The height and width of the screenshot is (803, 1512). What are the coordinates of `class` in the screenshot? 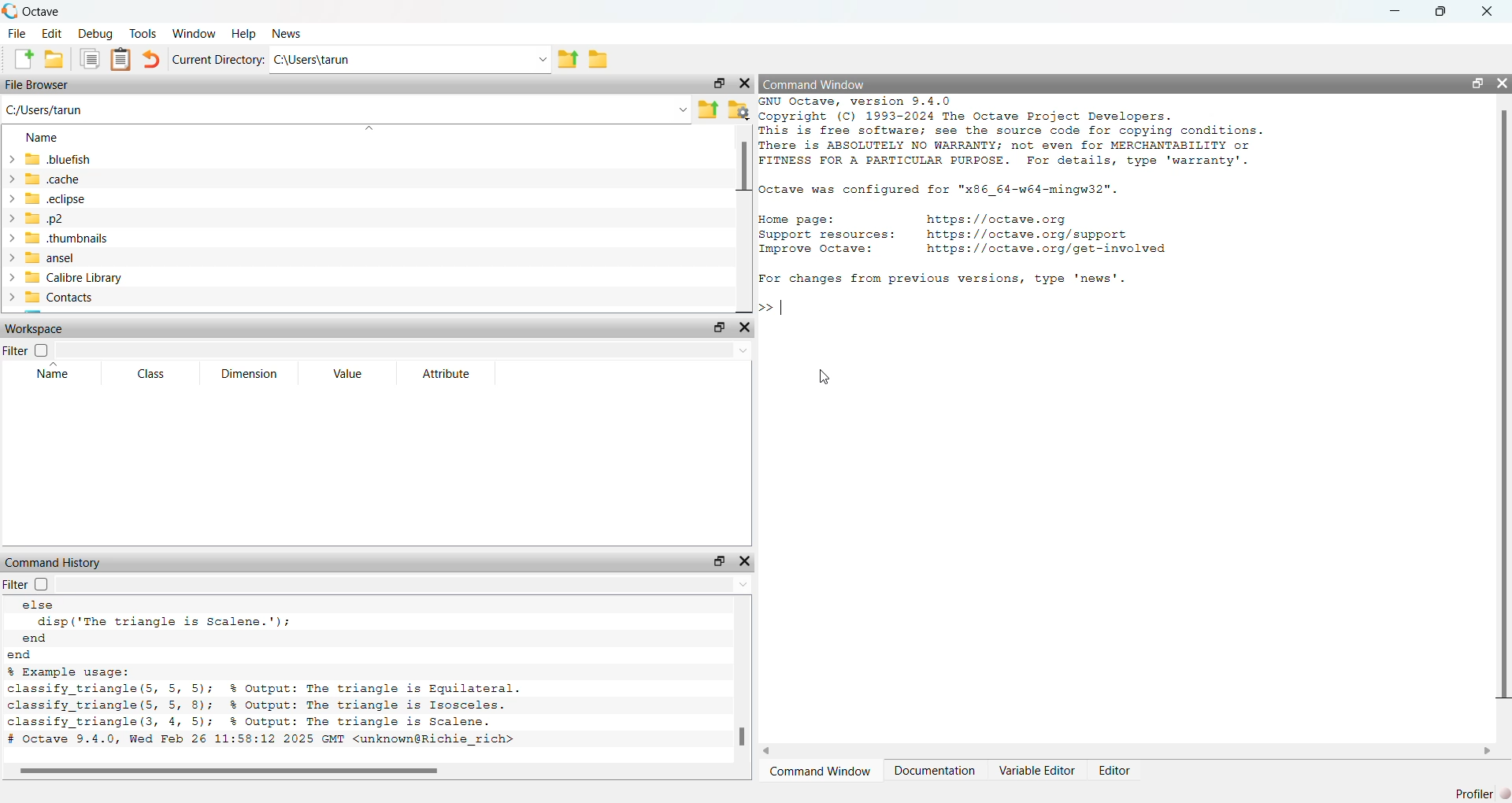 It's located at (151, 374).